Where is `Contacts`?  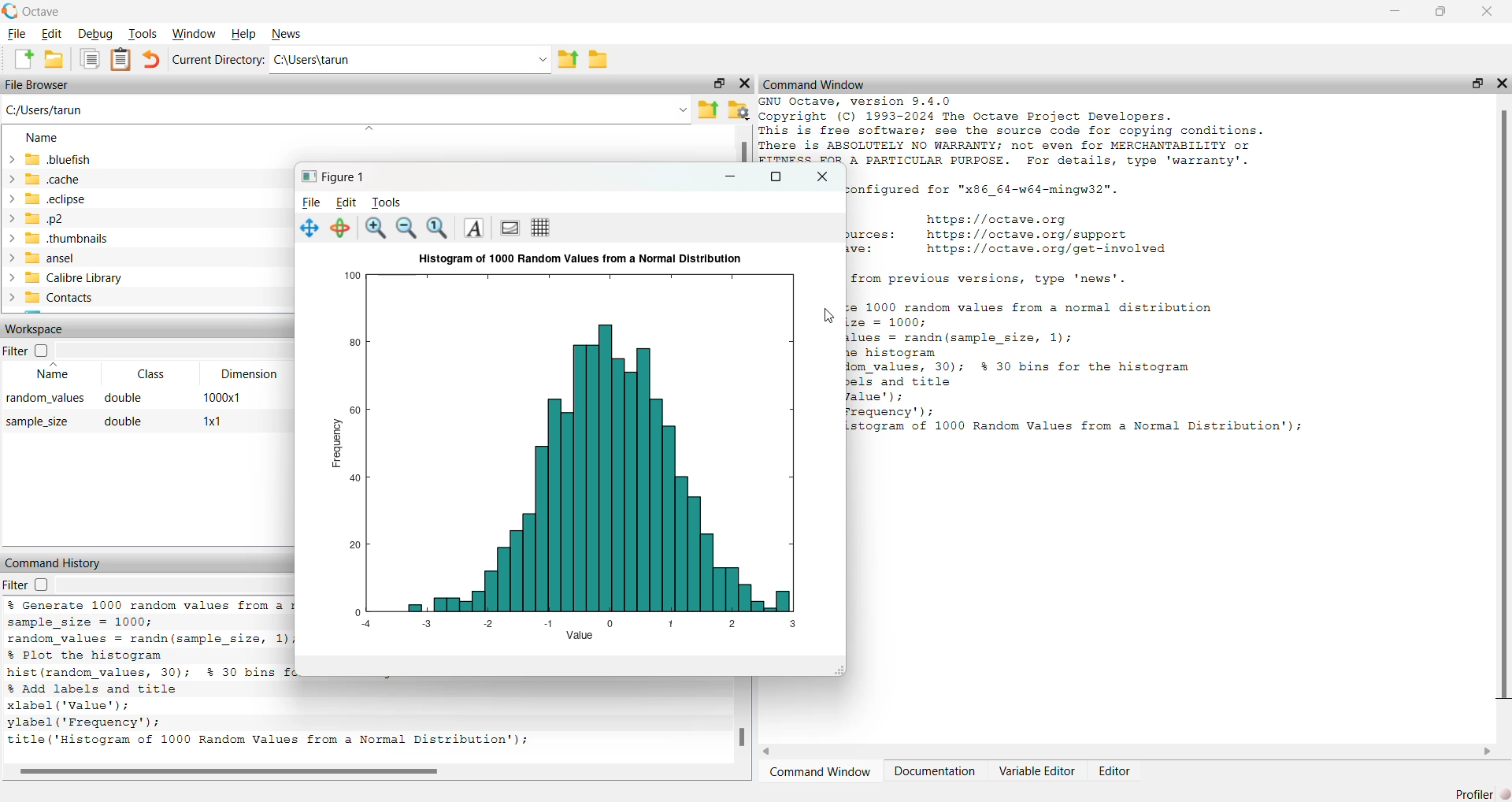
Contacts is located at coordinates (51, 297).